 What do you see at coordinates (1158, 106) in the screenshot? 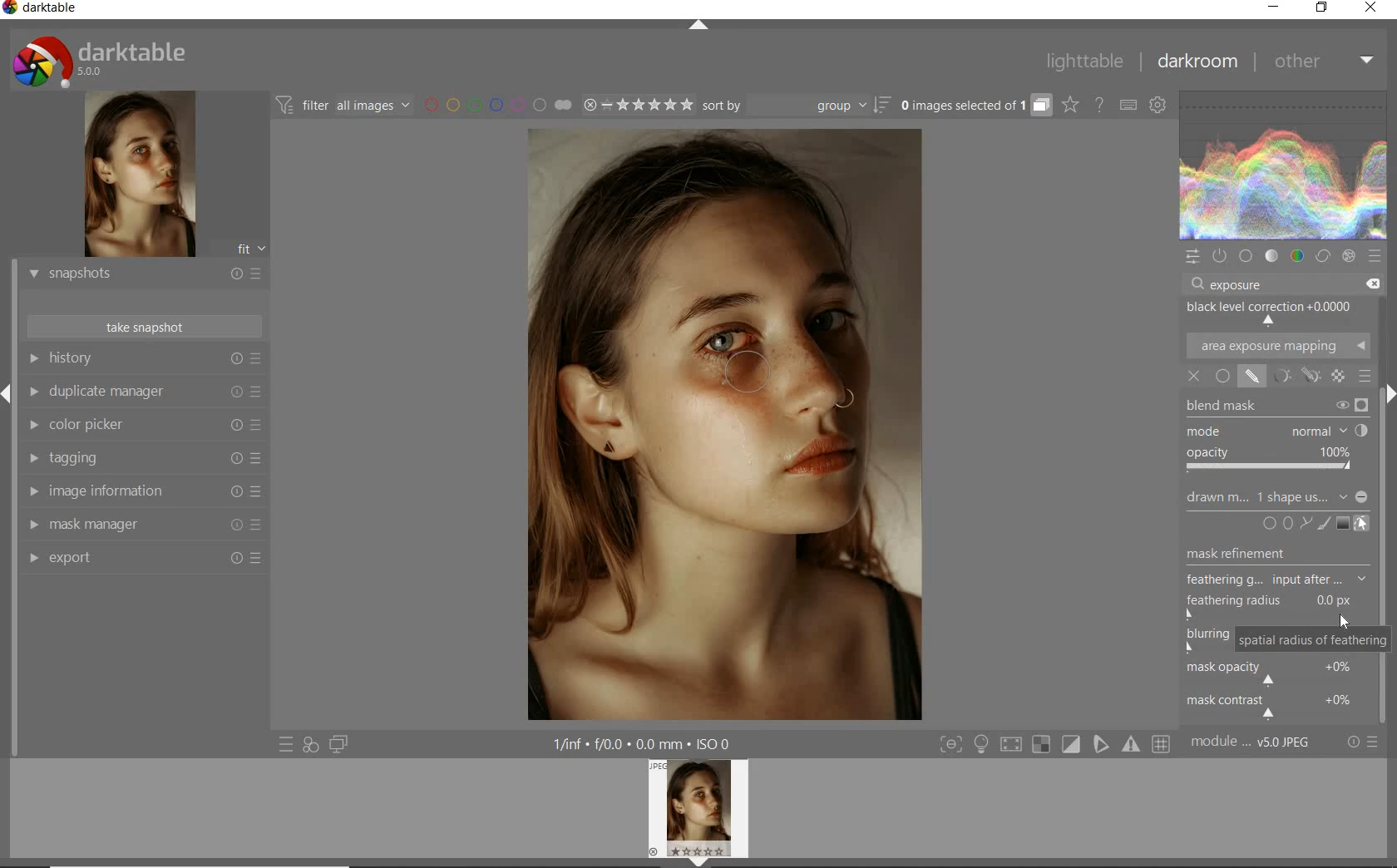
I see `show global preferences` at bounding box center [1158, 106].